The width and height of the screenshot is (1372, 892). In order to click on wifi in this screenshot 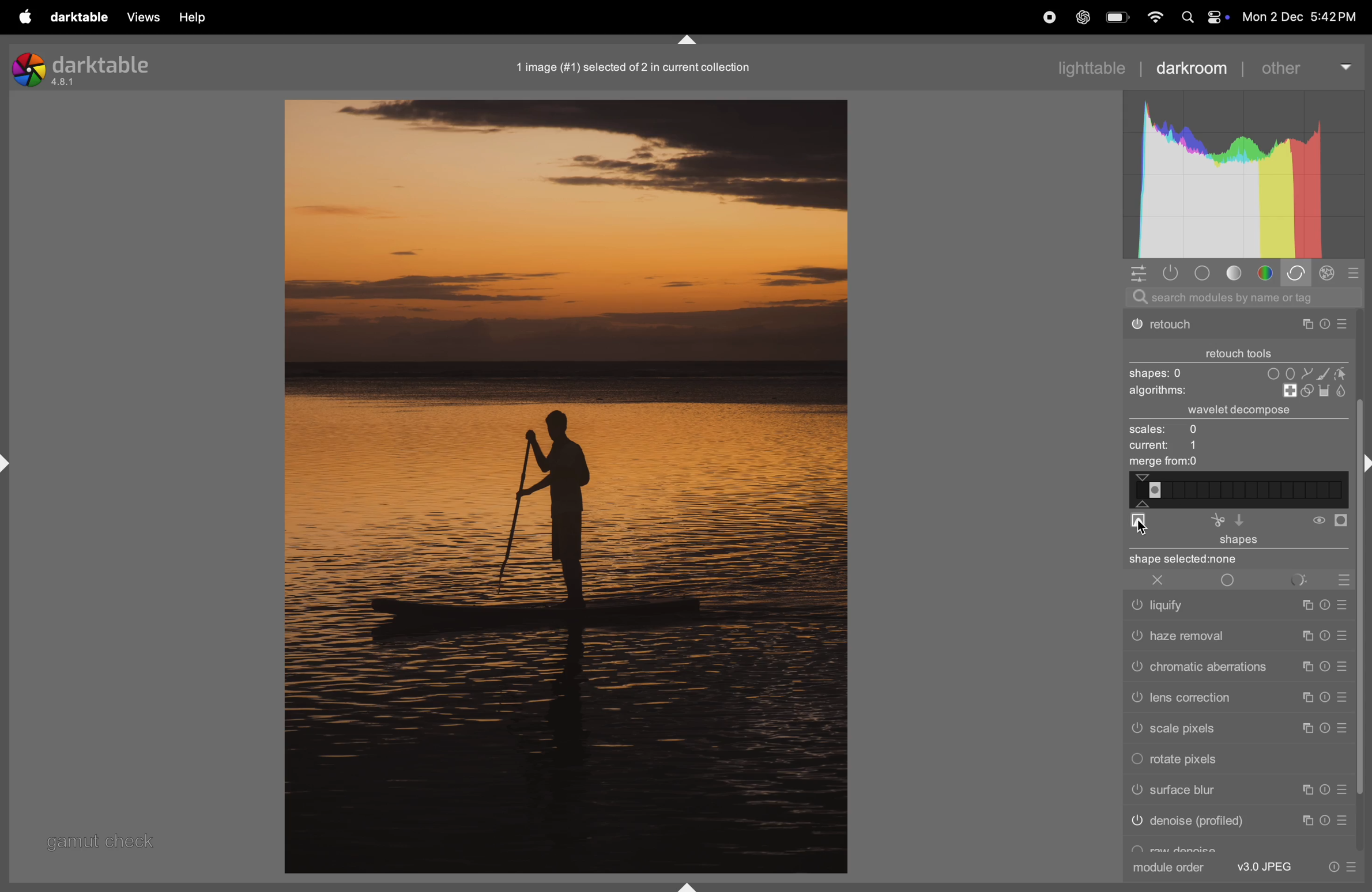, I will do `click(1153, 18)`.